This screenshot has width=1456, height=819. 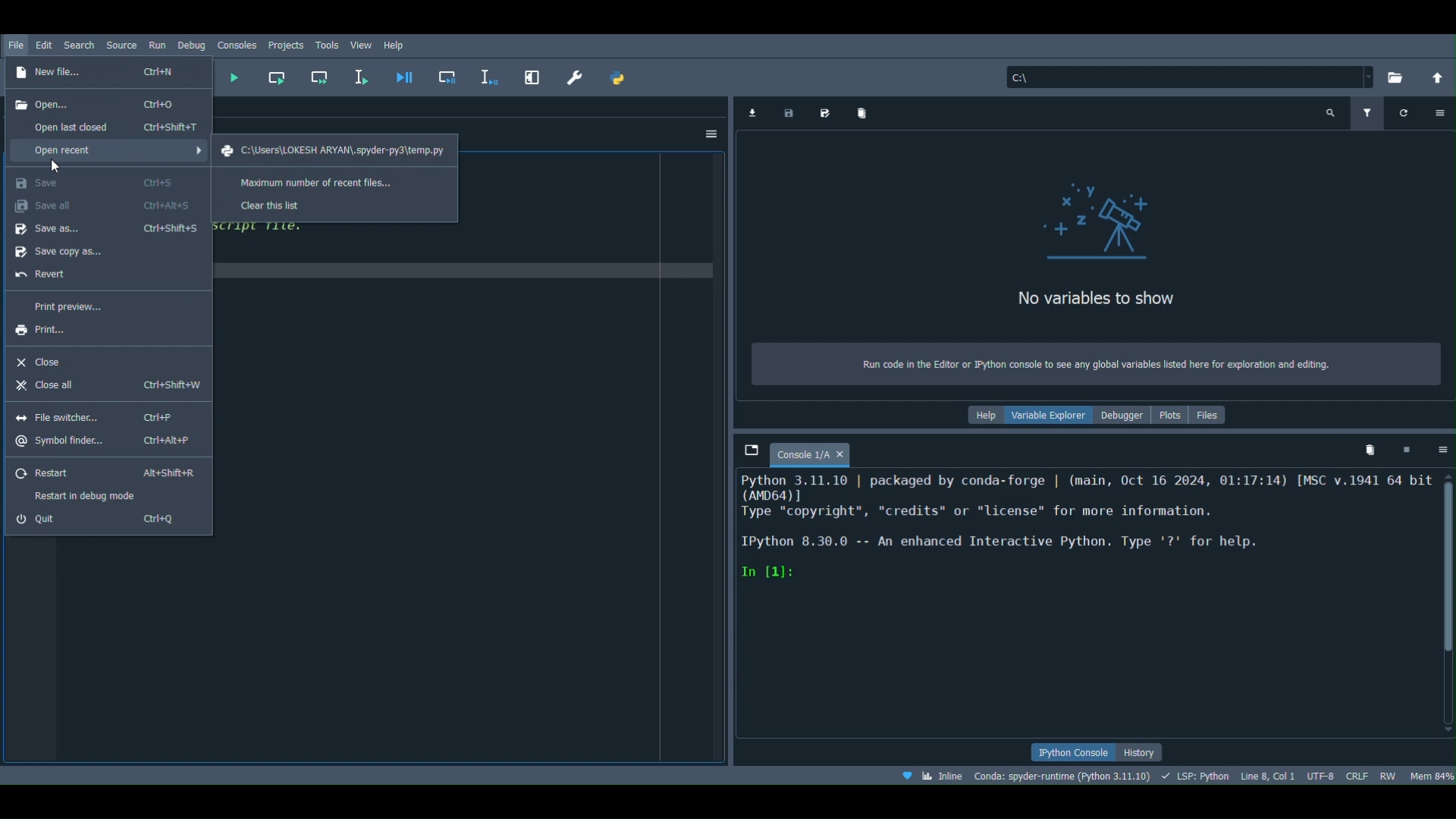 I want to click on Completions, linting, code folding and symbols status, so click(x=1196, y=777).